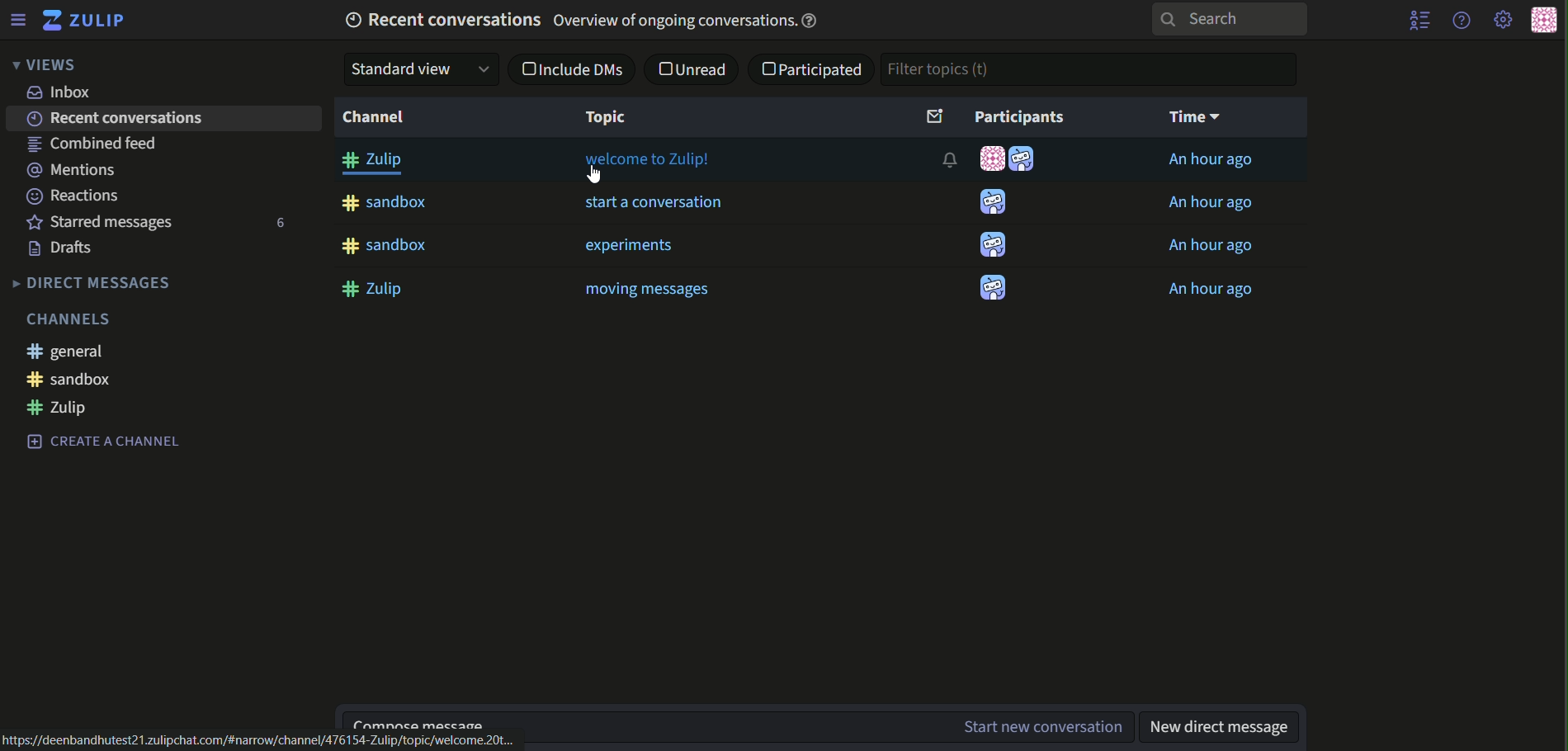 The image size is (1568, 751). Describe the element at coordinates (17, 19) in the screenshot. I see `Menu` at that location.